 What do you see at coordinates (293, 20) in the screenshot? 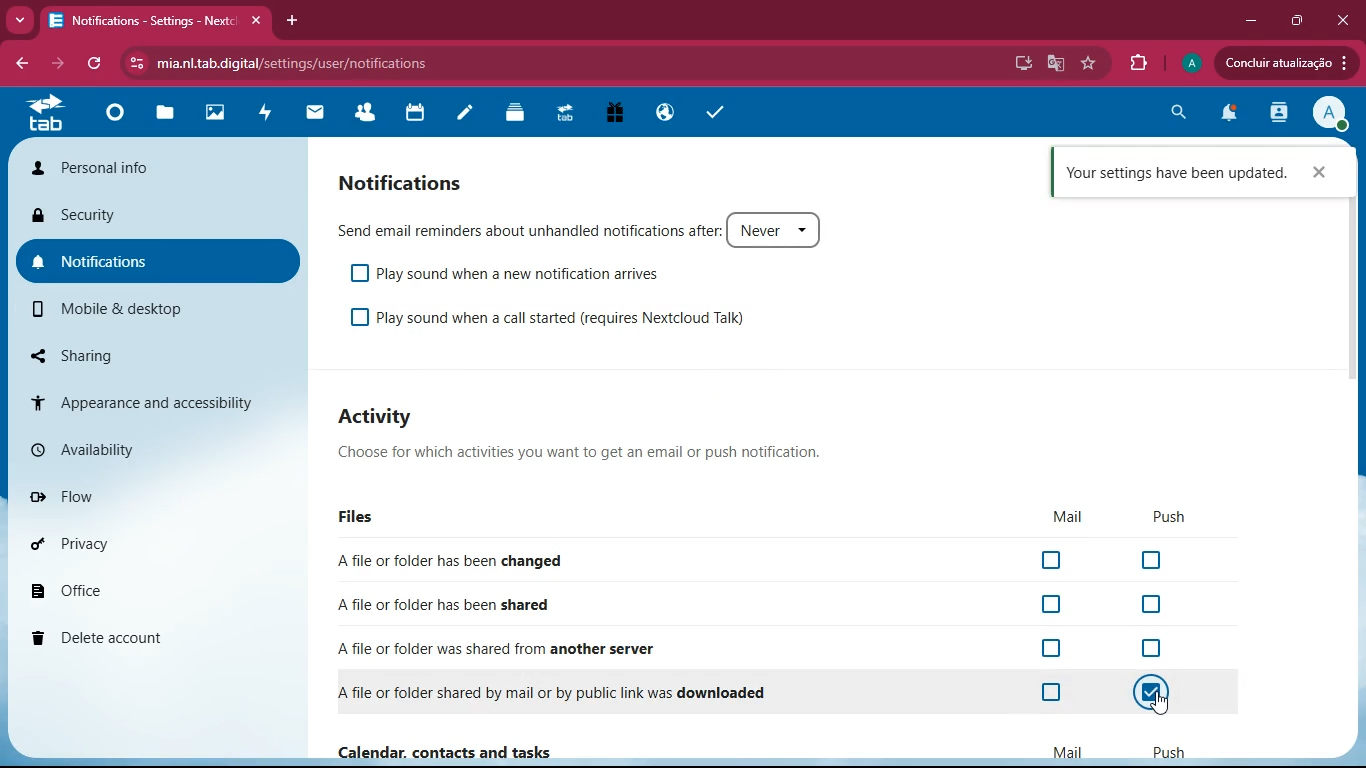
I see `add tab` at bounding box center [293, 20].